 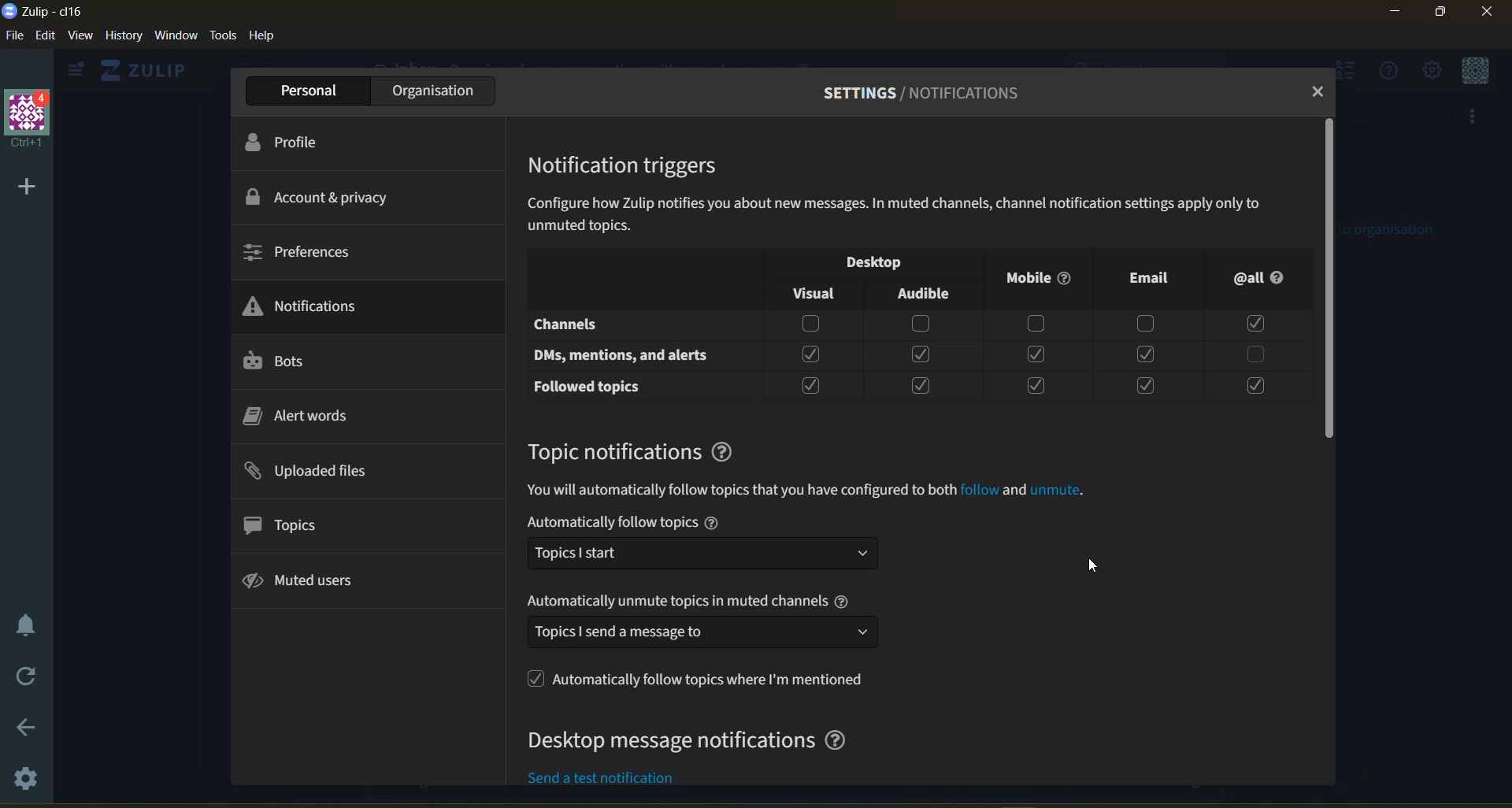 I want to click on Topic dropdown, so click(x=706, y=558).